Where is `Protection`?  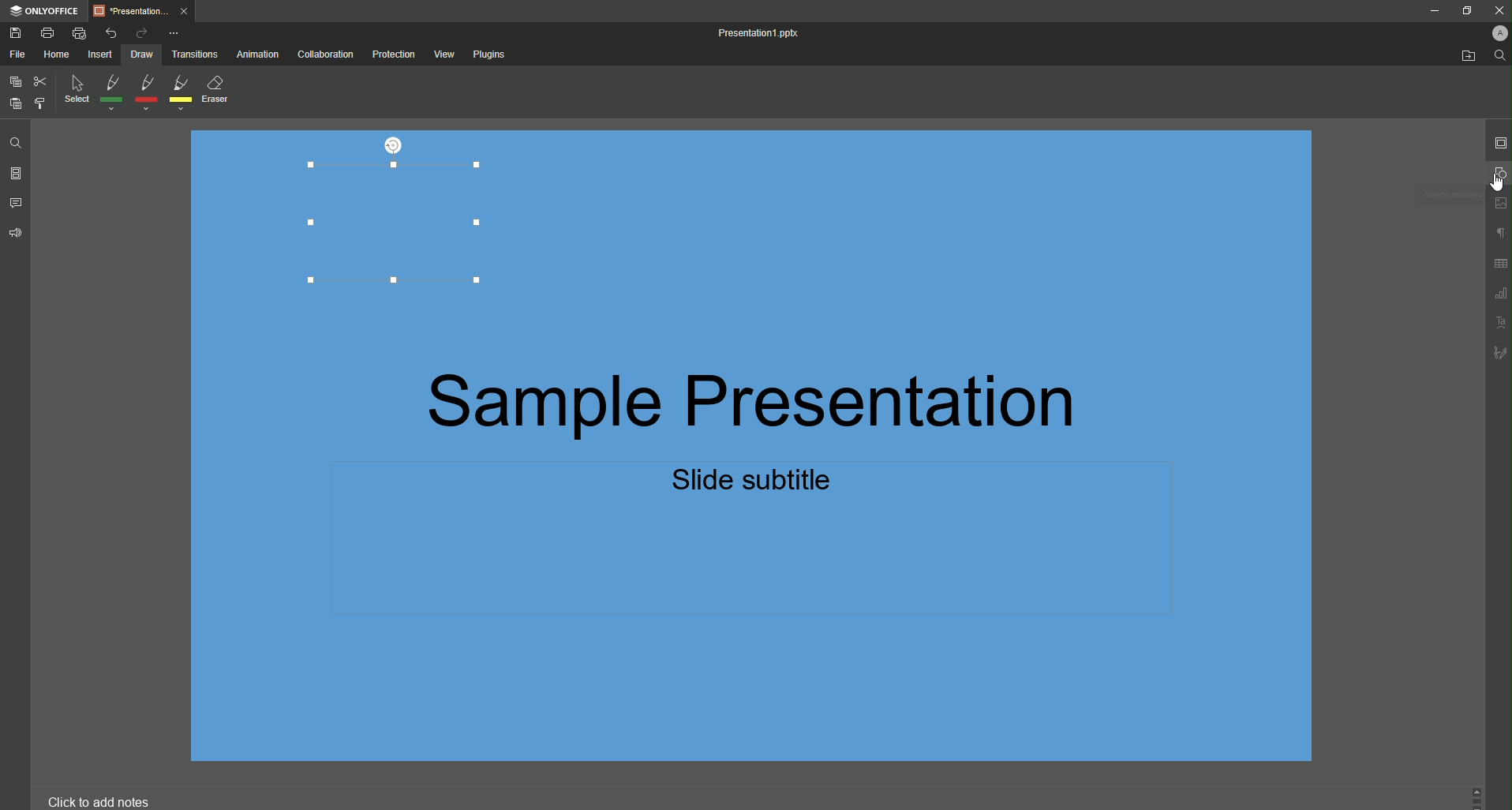 Protection is located at coordinates (391, 55).